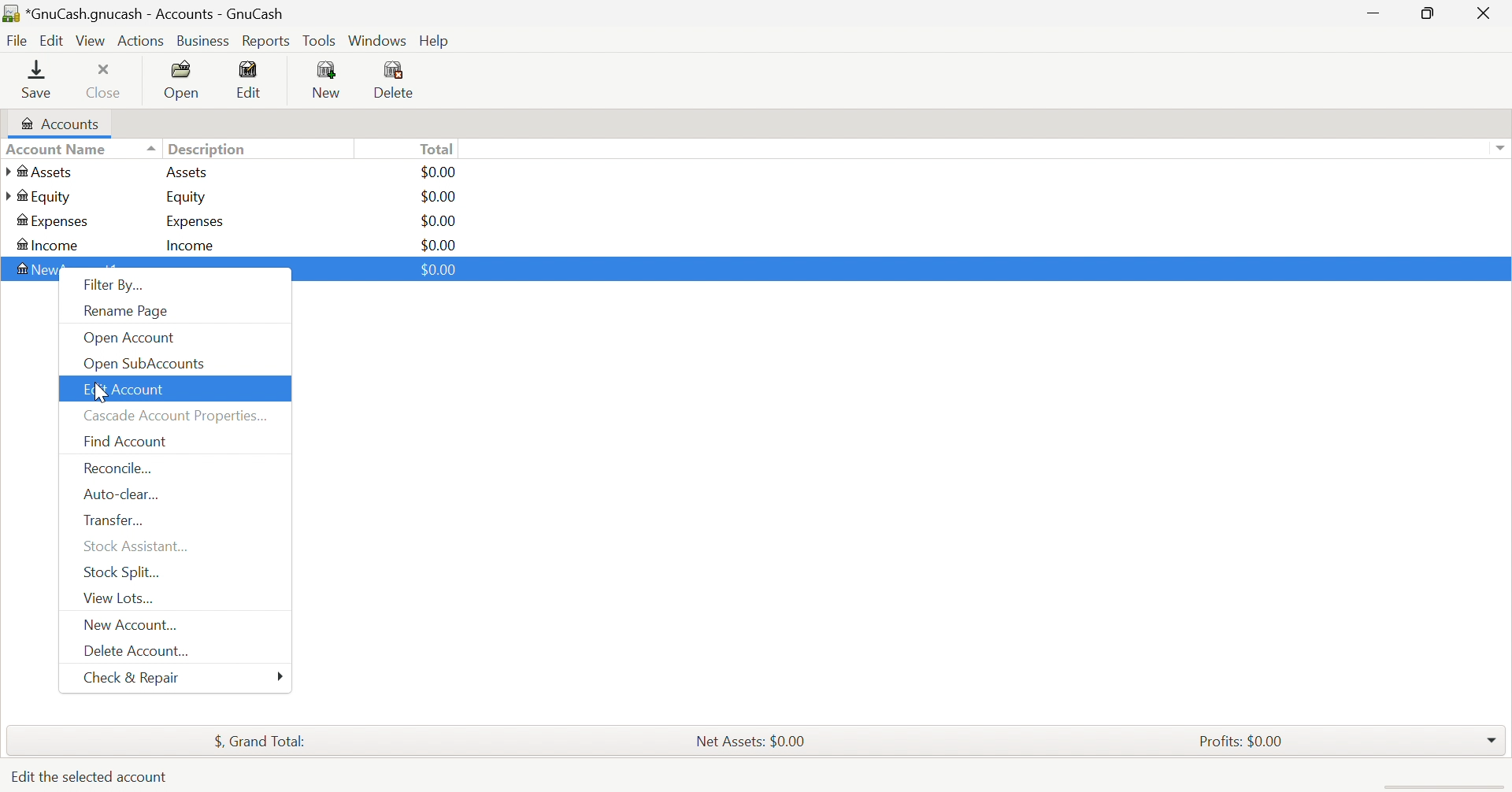 This screenshot has height=792, width=1512. Describe the element at coordinates (203, 39) in the screenshot. I see `Business` at that location.